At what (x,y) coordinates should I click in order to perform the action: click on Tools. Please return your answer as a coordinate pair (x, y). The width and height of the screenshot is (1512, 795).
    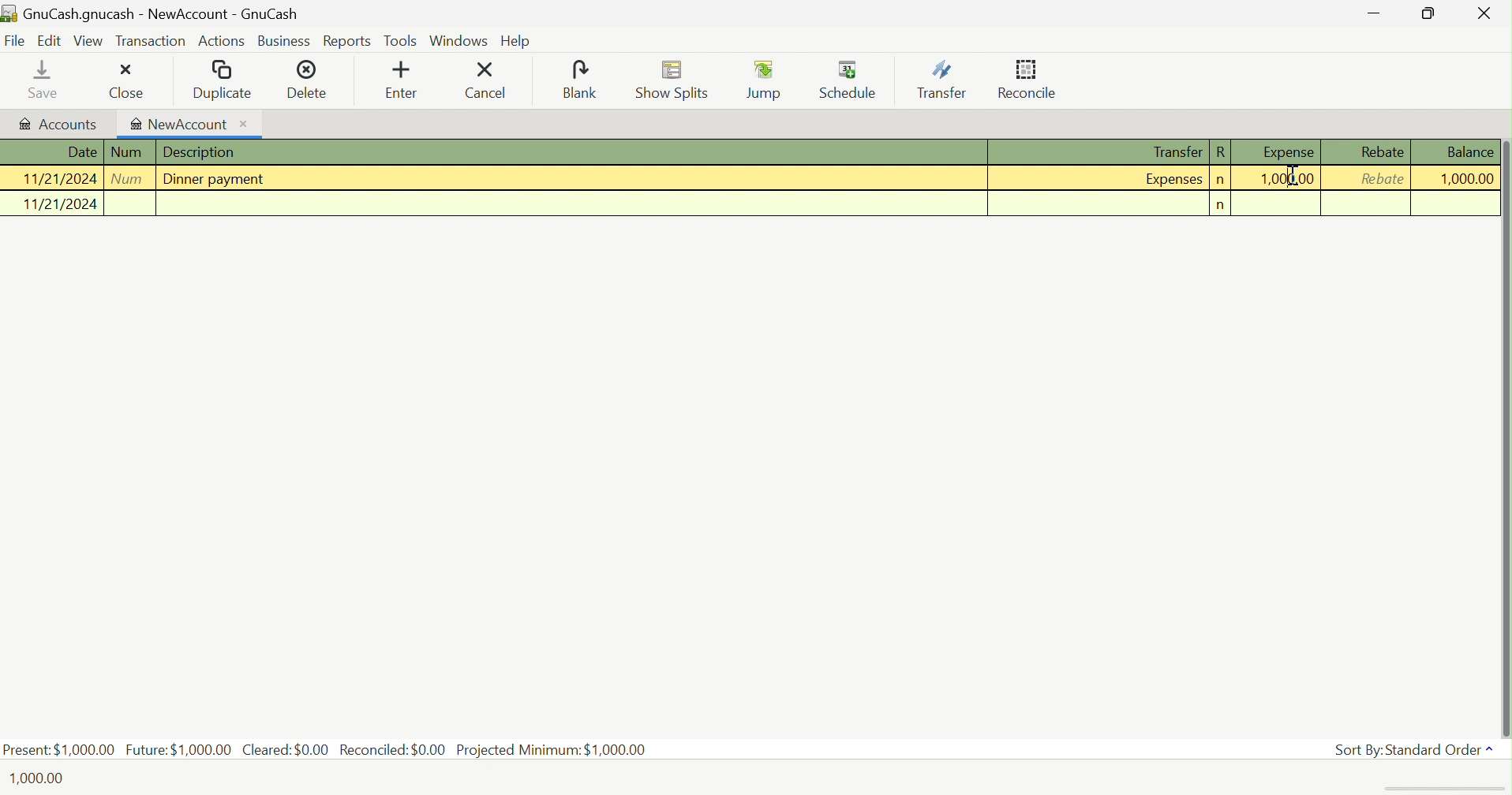
    Looking at the image, I should click on (401, 40).